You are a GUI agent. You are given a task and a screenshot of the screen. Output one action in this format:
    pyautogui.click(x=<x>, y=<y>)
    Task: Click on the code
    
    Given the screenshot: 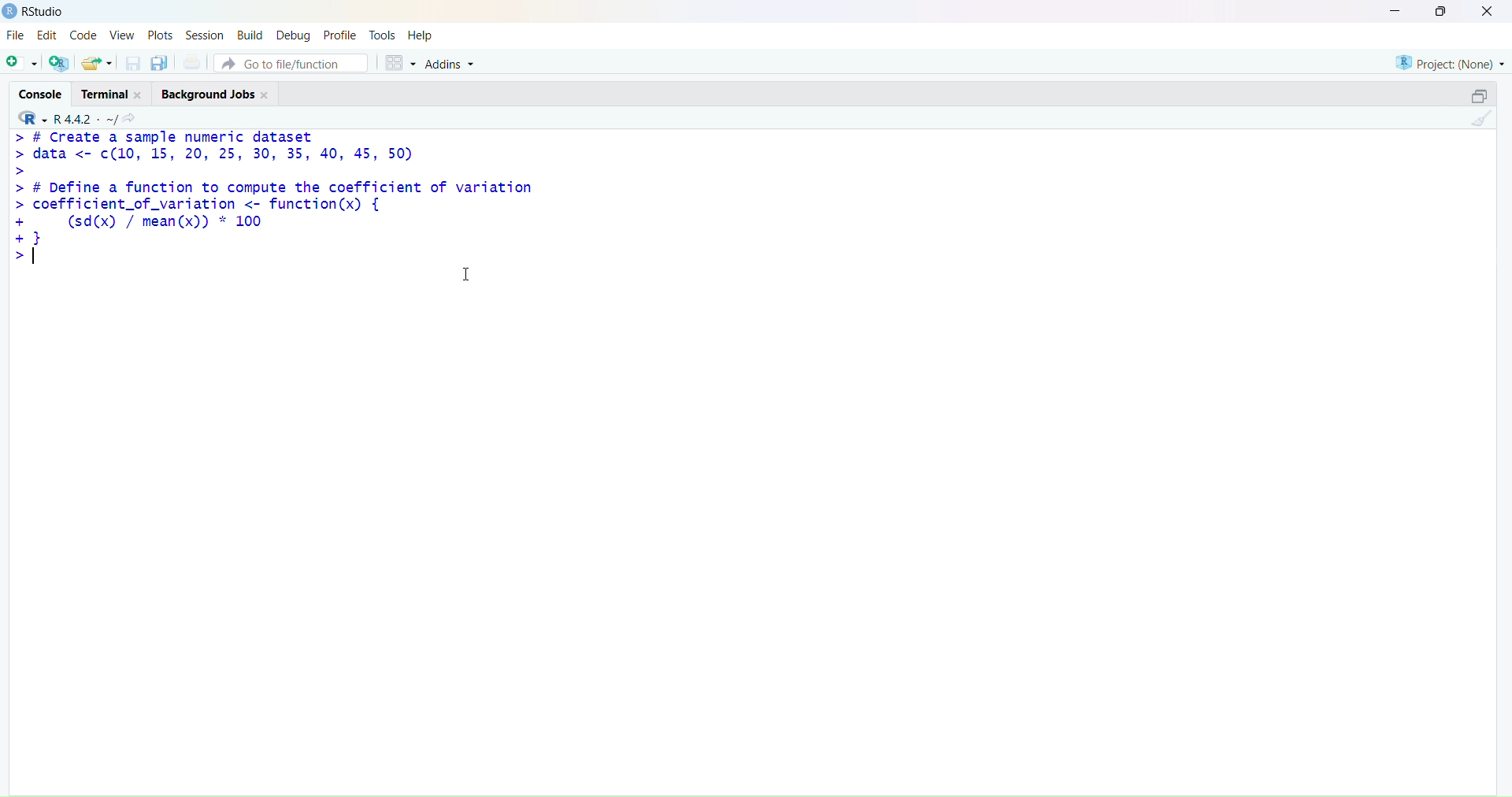 What is the action you would take?
    pyautogui.click(x=83, y=35)
    